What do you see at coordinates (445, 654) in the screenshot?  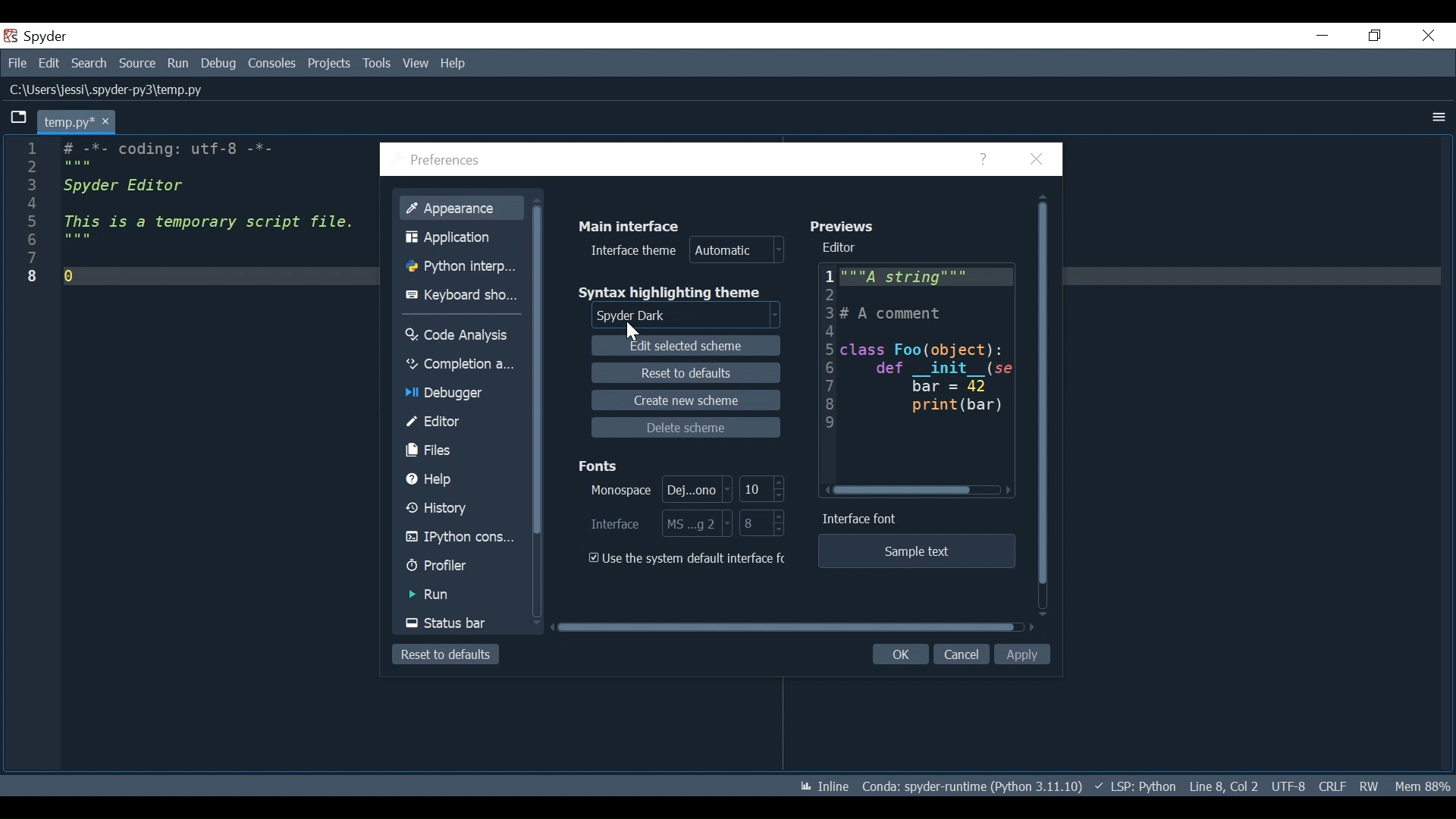 I see `Reset to defaults` at bounding box center [445, 654].